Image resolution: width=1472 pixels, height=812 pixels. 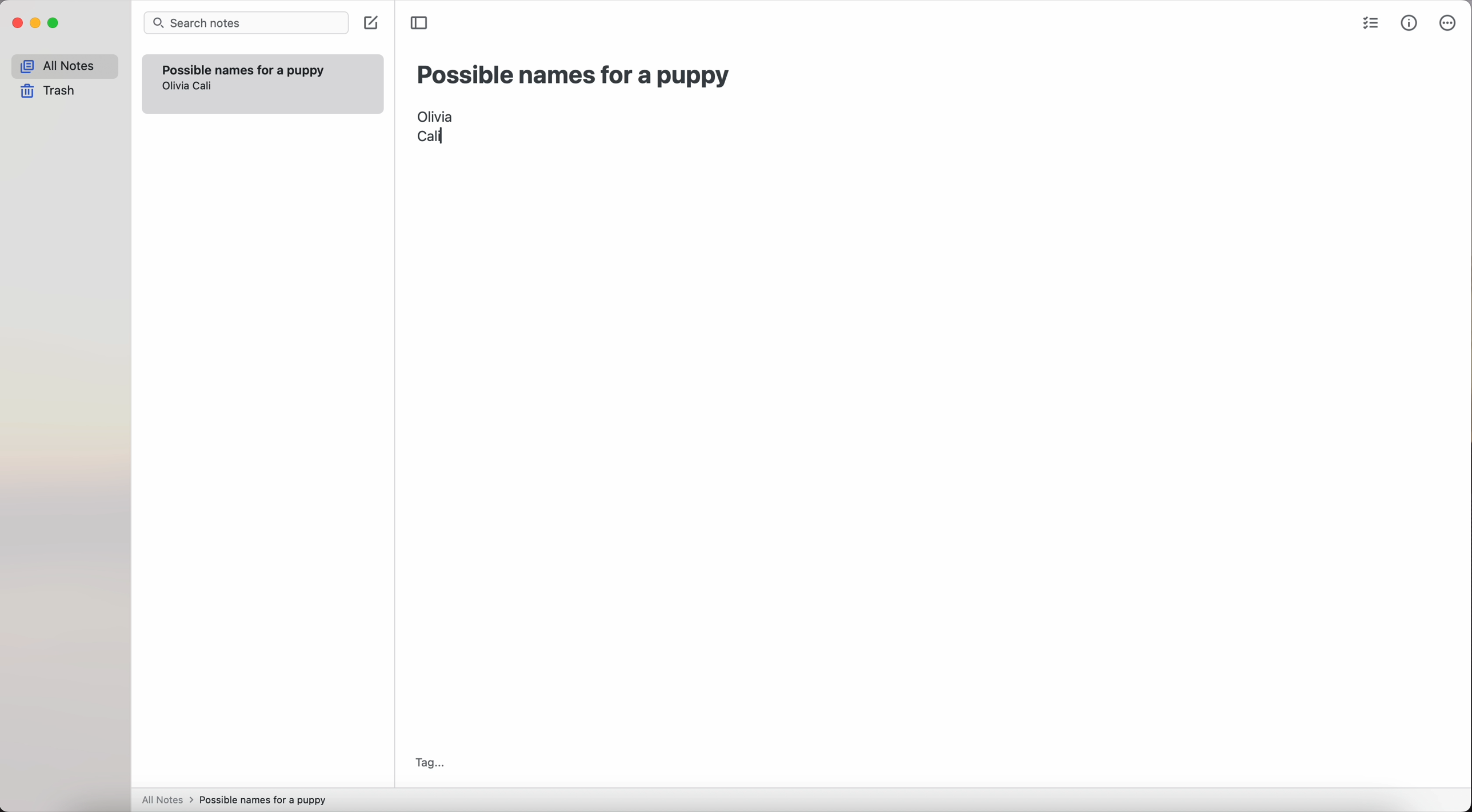 I want to click on search bar, so click(x=246, y=24).